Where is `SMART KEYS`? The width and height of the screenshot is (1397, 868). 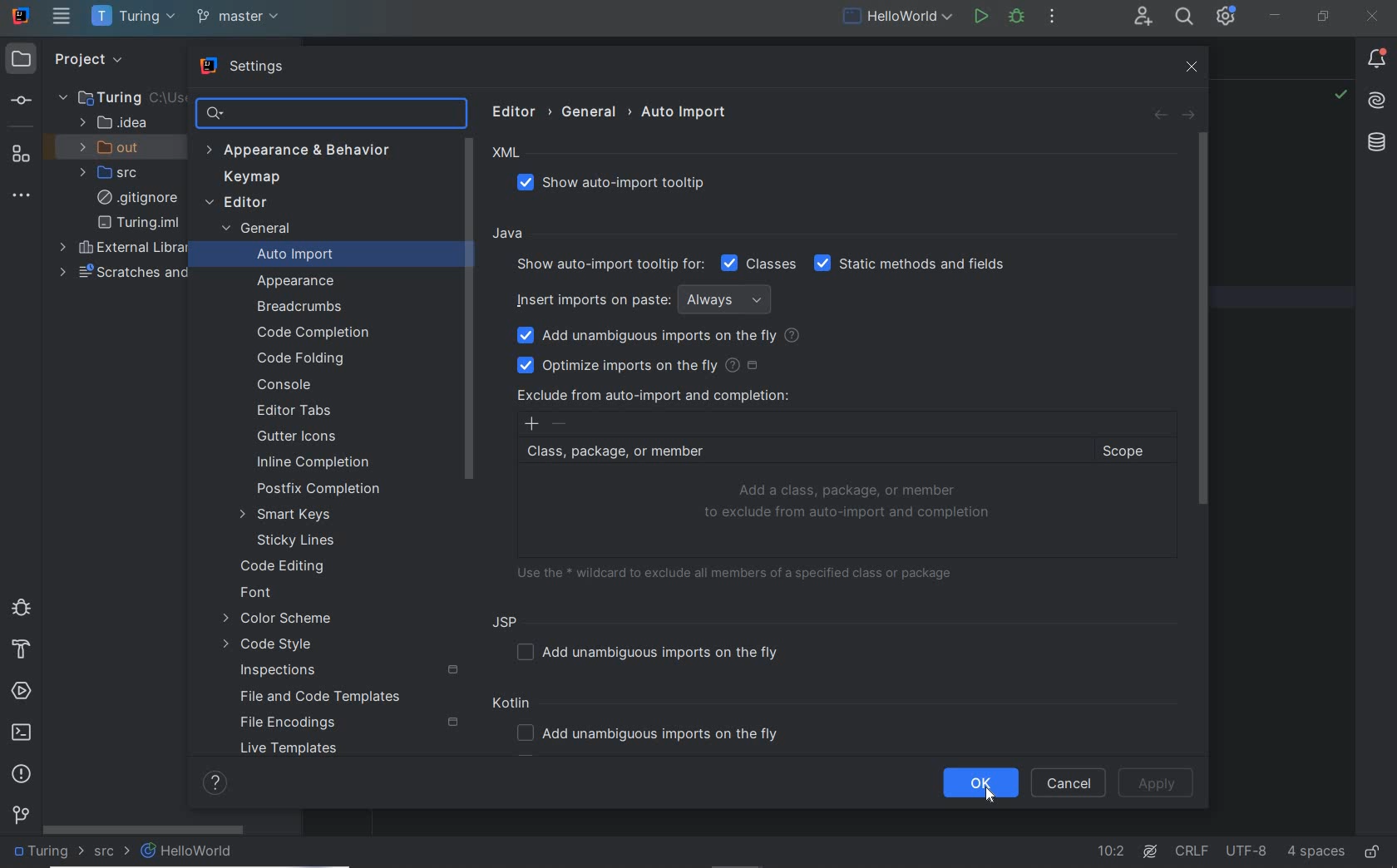 SMART KEYS is located at coordinates (292, 515).